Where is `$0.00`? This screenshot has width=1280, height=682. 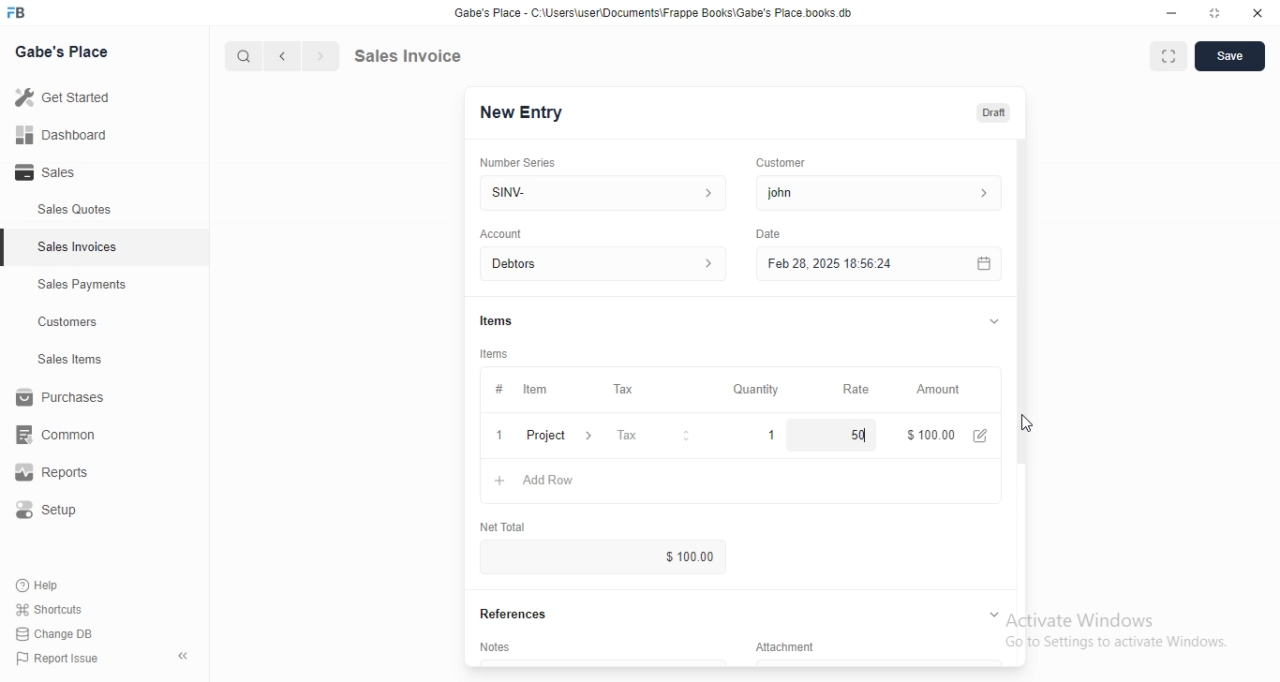 $0.00 is located at coordinates (668, 557).